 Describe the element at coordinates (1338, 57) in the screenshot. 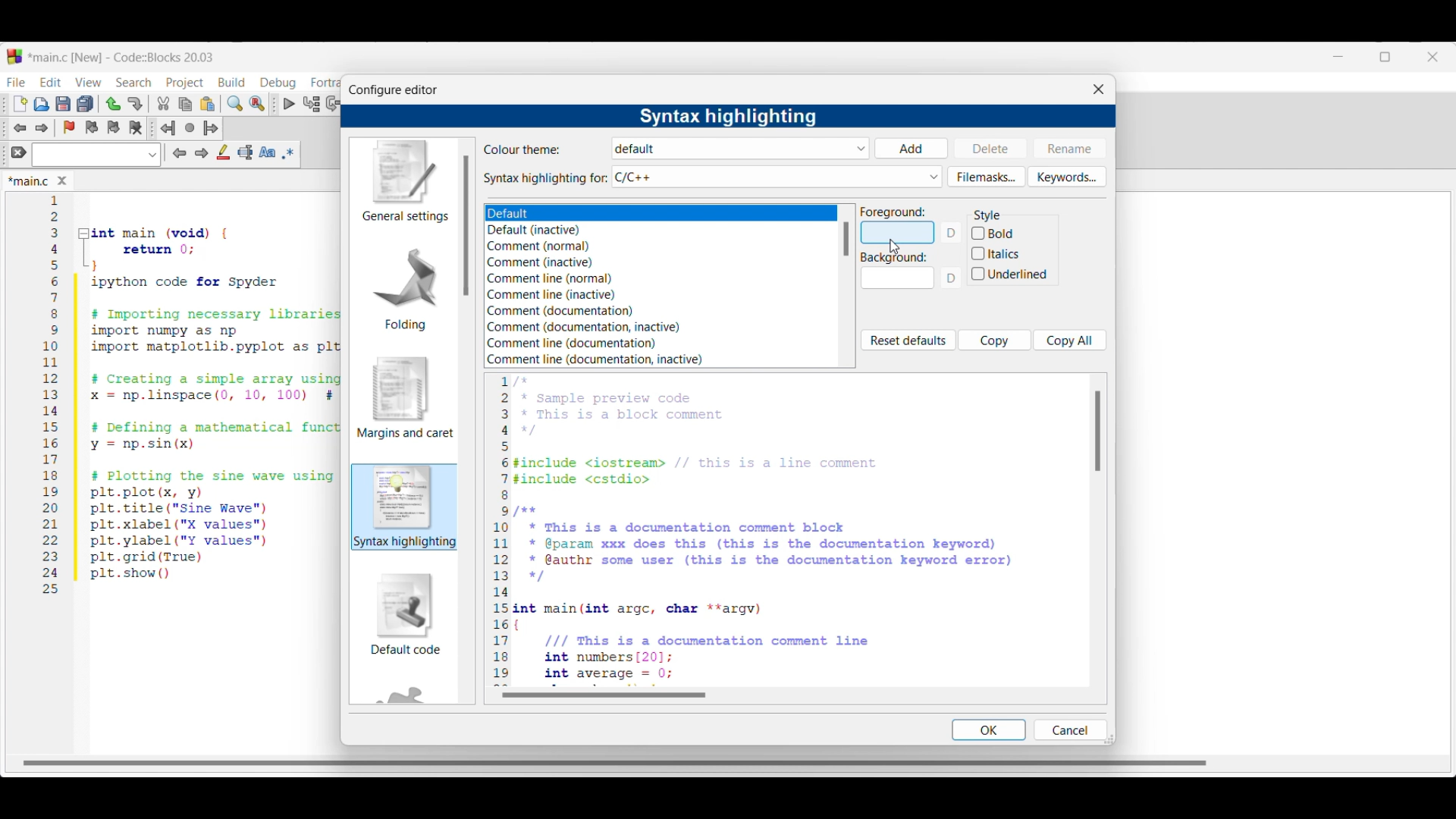

I see `Minimize ` at that location.